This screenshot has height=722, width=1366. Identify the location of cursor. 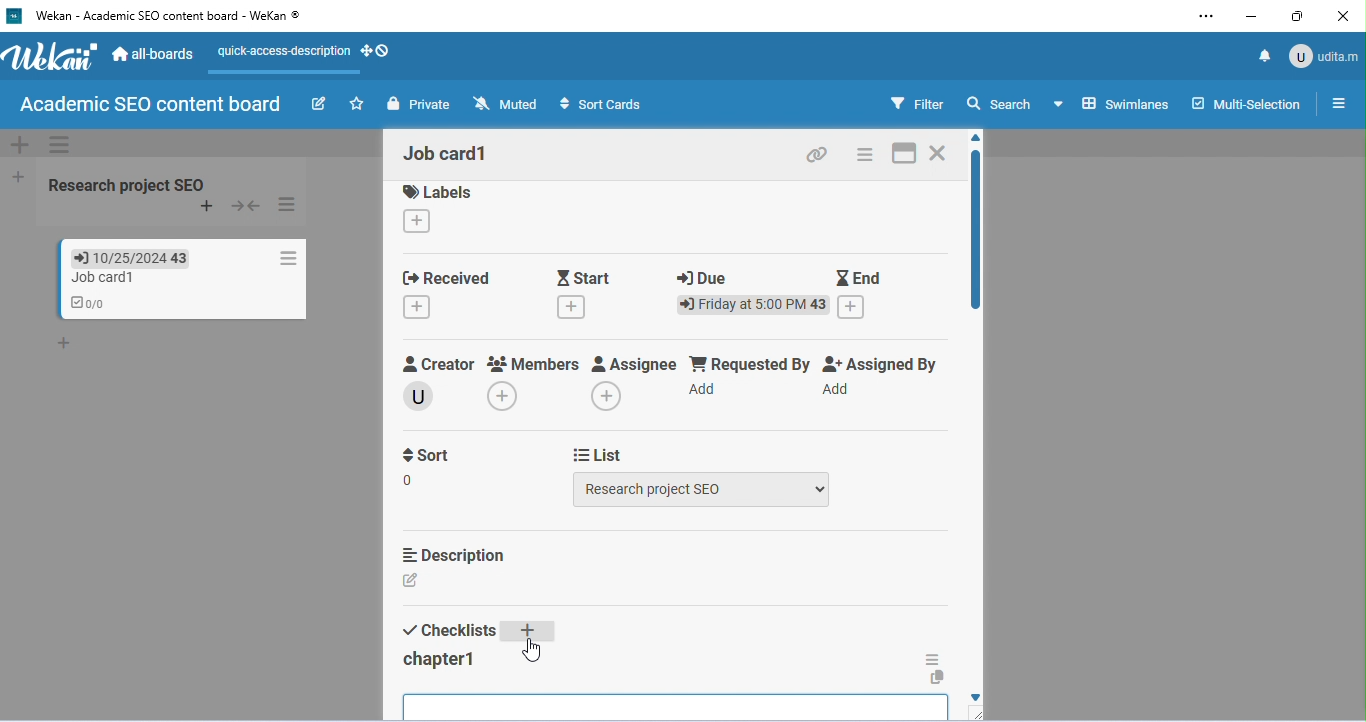
(530, 649).